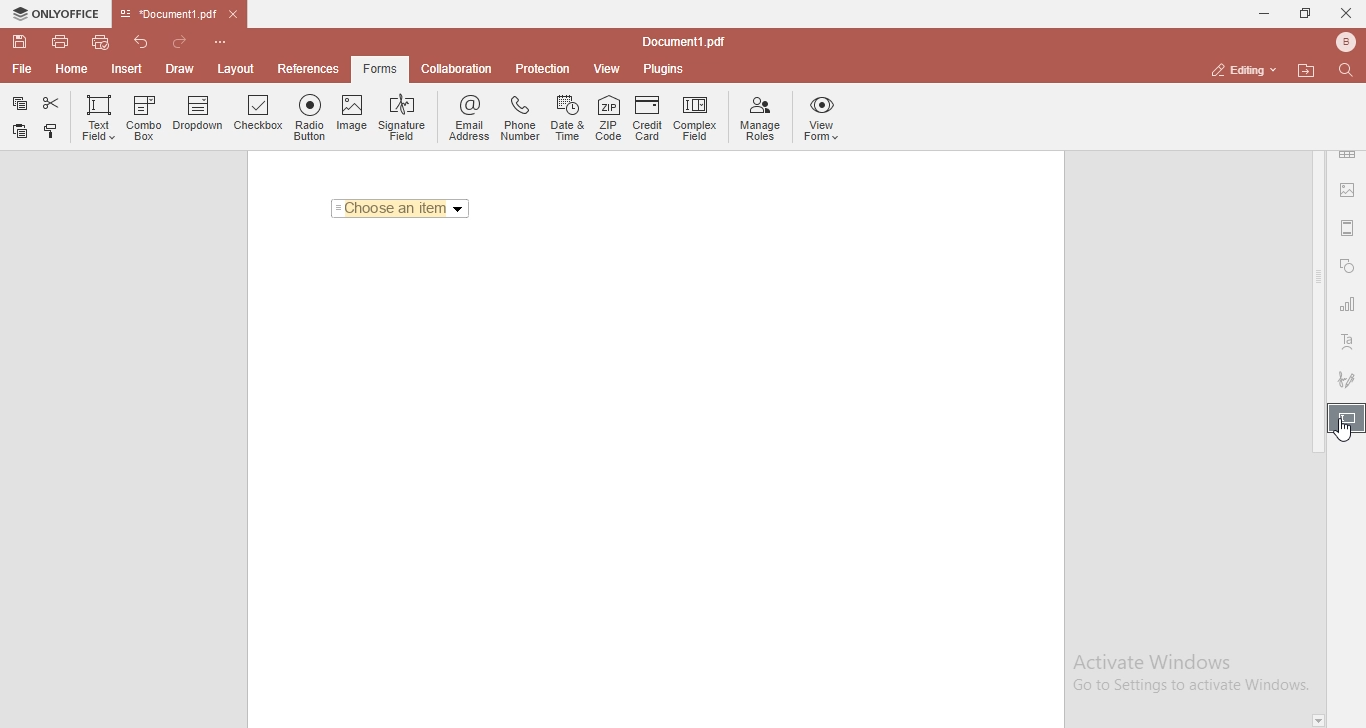 This screenshot has width=1366, height=728. What do you see at coordinates (664, 70) in the screenshot?
I see `plugins` at bounding box center [664, 70].